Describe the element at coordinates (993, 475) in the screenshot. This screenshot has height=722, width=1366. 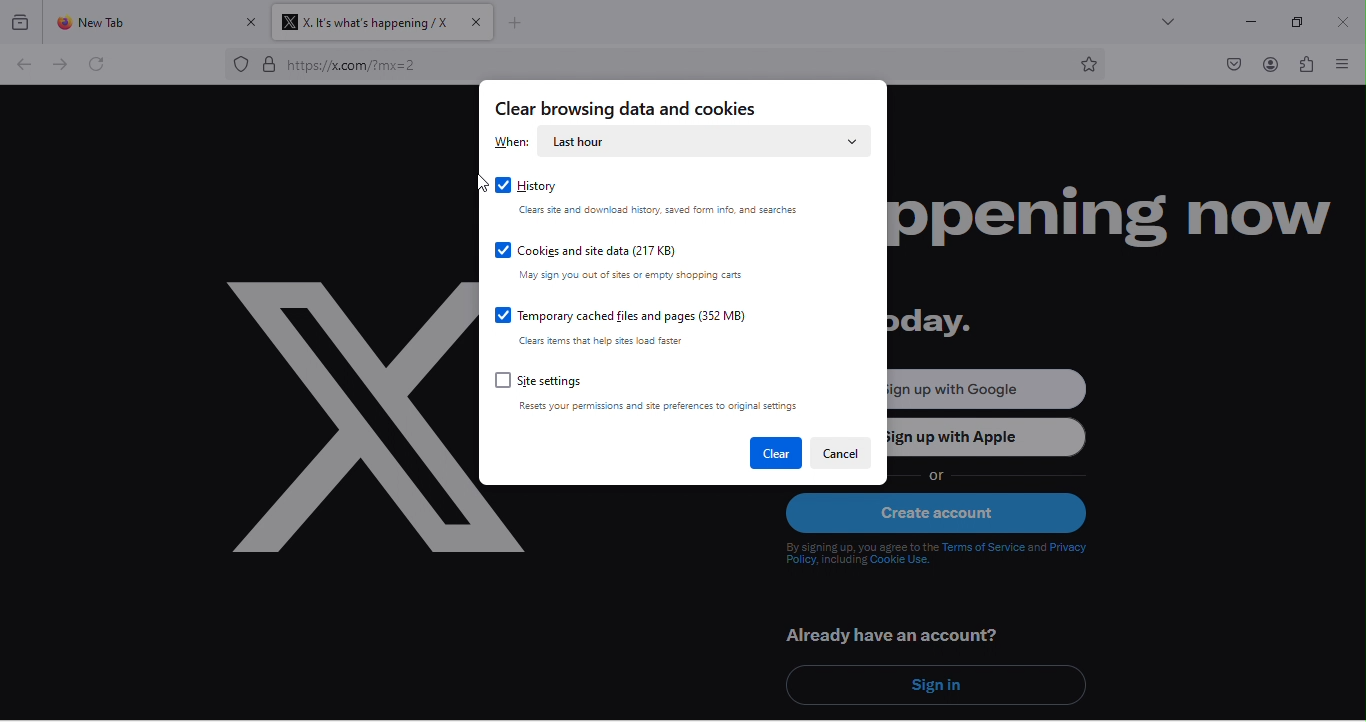
I see `or` at that location.